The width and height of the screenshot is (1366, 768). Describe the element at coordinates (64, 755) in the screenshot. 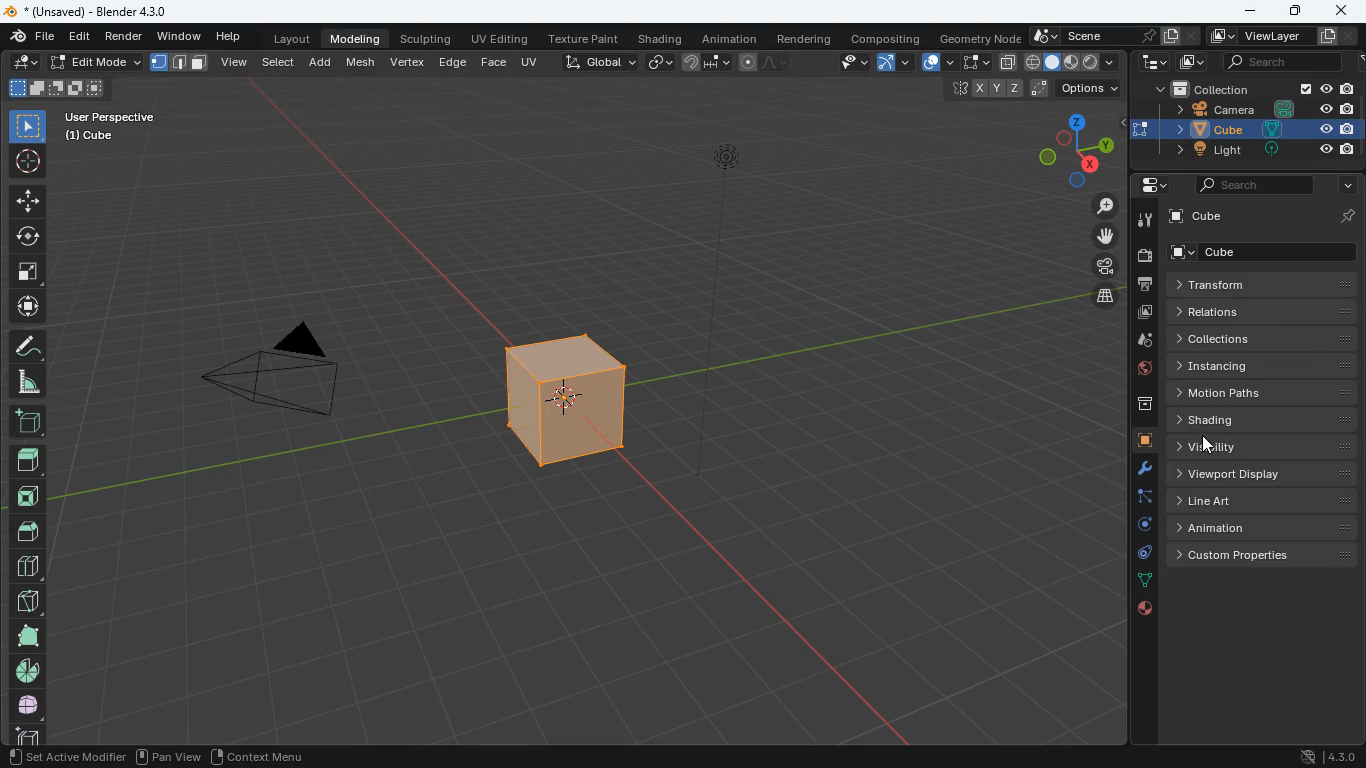

I see `set active modifier` at that location.